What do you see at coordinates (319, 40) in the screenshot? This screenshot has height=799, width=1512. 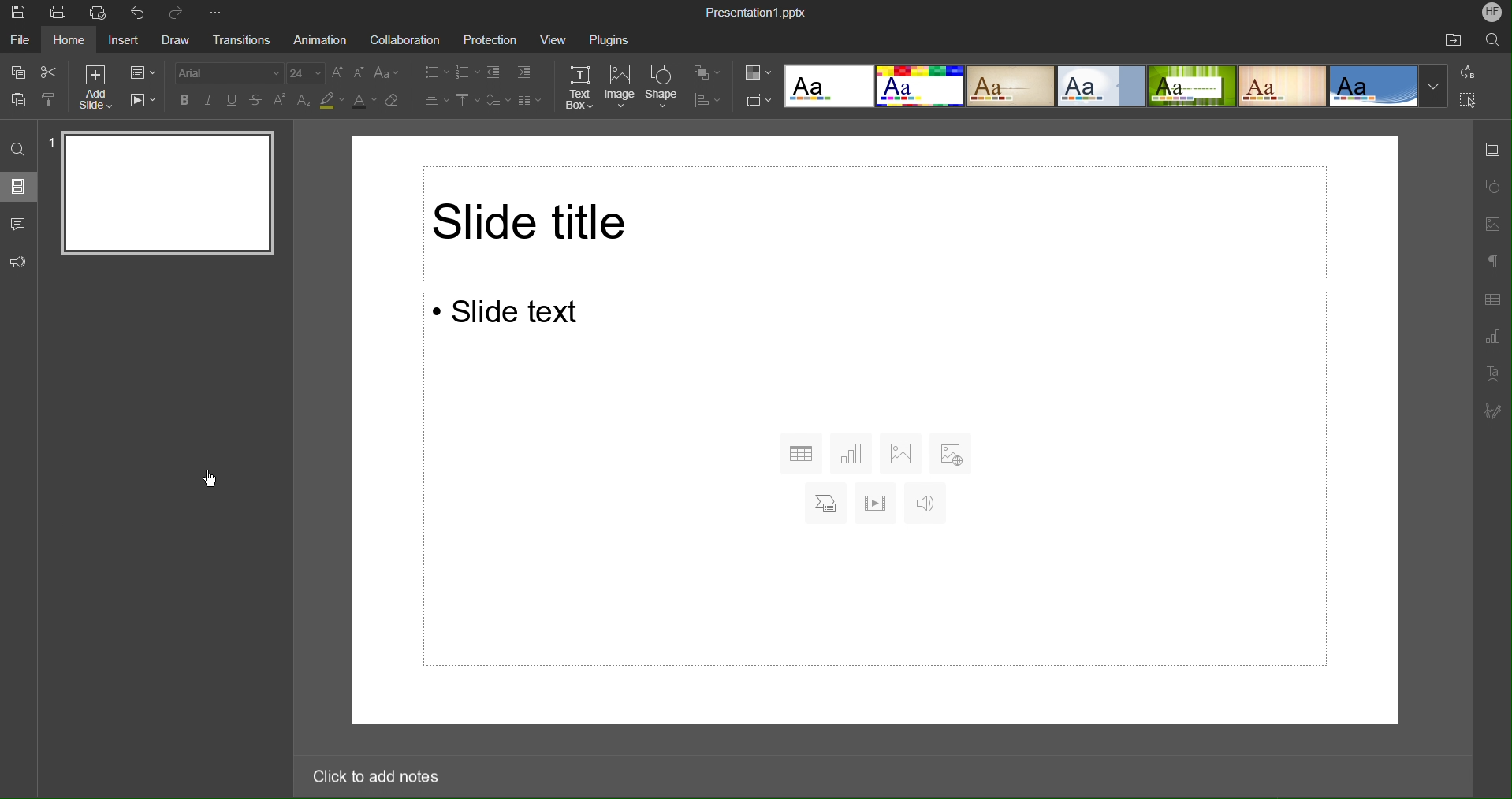 I see `Animation` at bounding box center [319, 40].